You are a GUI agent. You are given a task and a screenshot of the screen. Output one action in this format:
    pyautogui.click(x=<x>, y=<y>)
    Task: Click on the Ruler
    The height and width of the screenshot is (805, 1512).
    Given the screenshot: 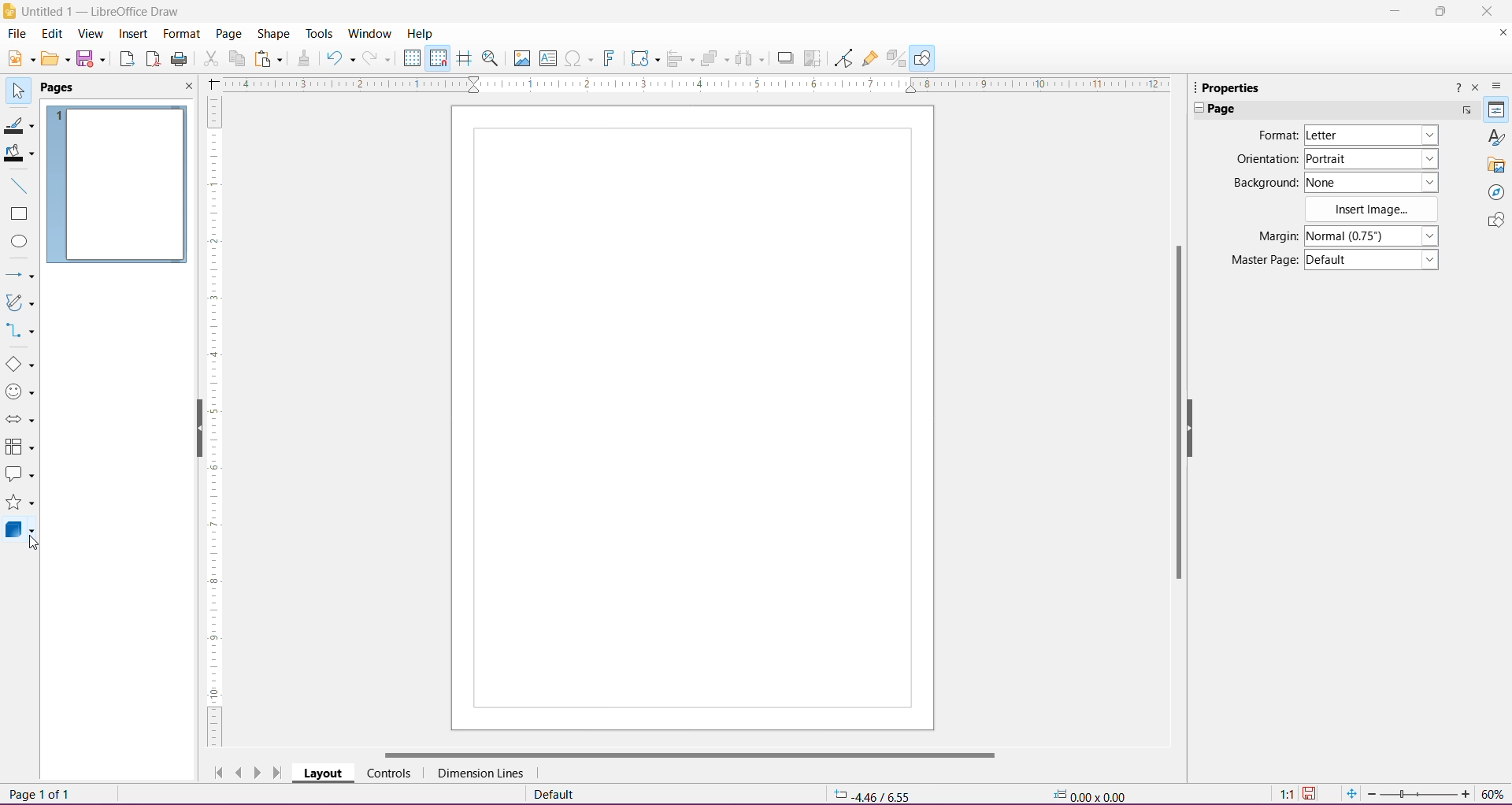 What is the action you would take?
    pyautogui.click(x=213, y=423)
    